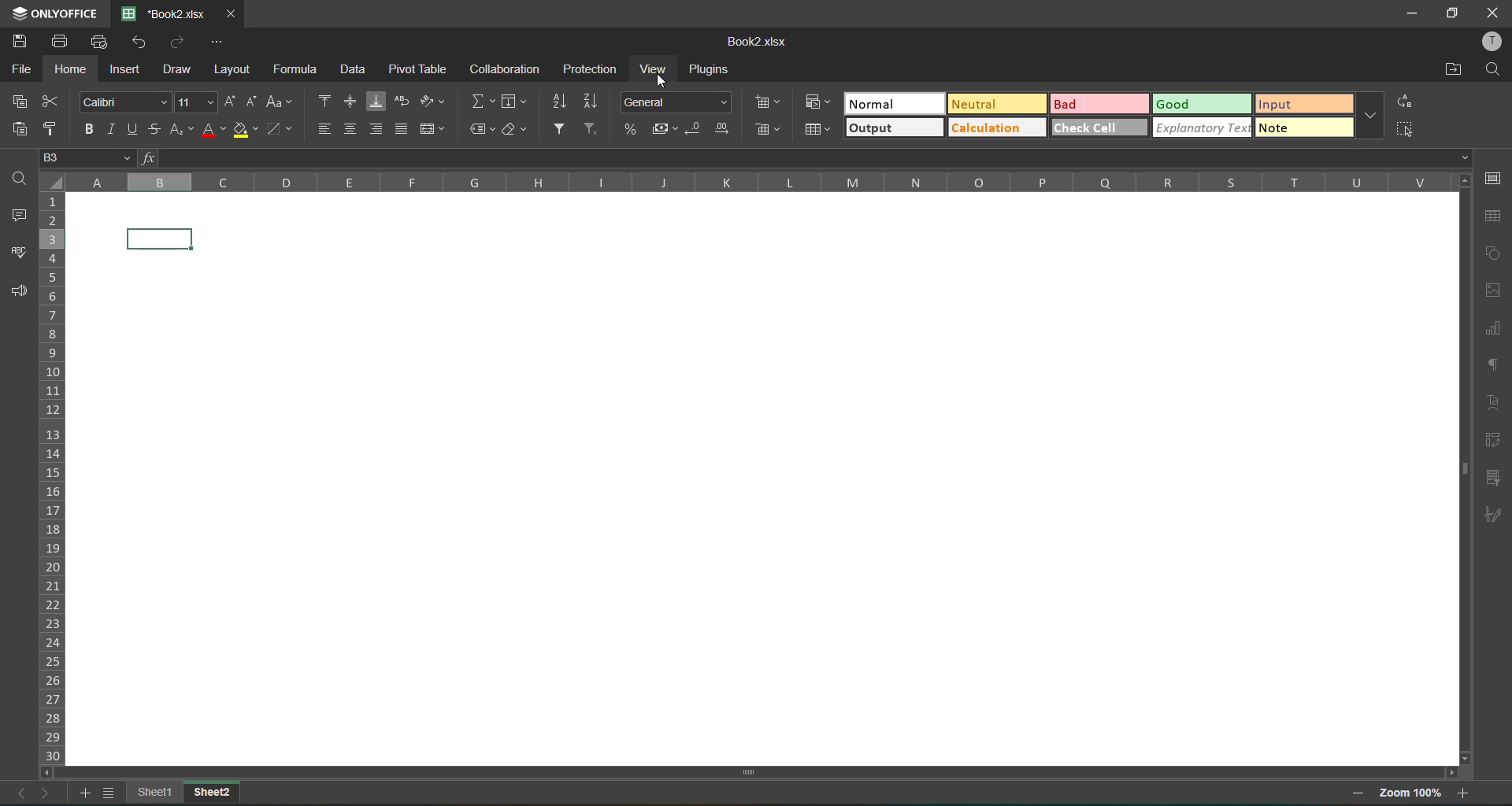 This screenshot has width=1512, height=806. I want to click on spellcheck, so click(20, 254).